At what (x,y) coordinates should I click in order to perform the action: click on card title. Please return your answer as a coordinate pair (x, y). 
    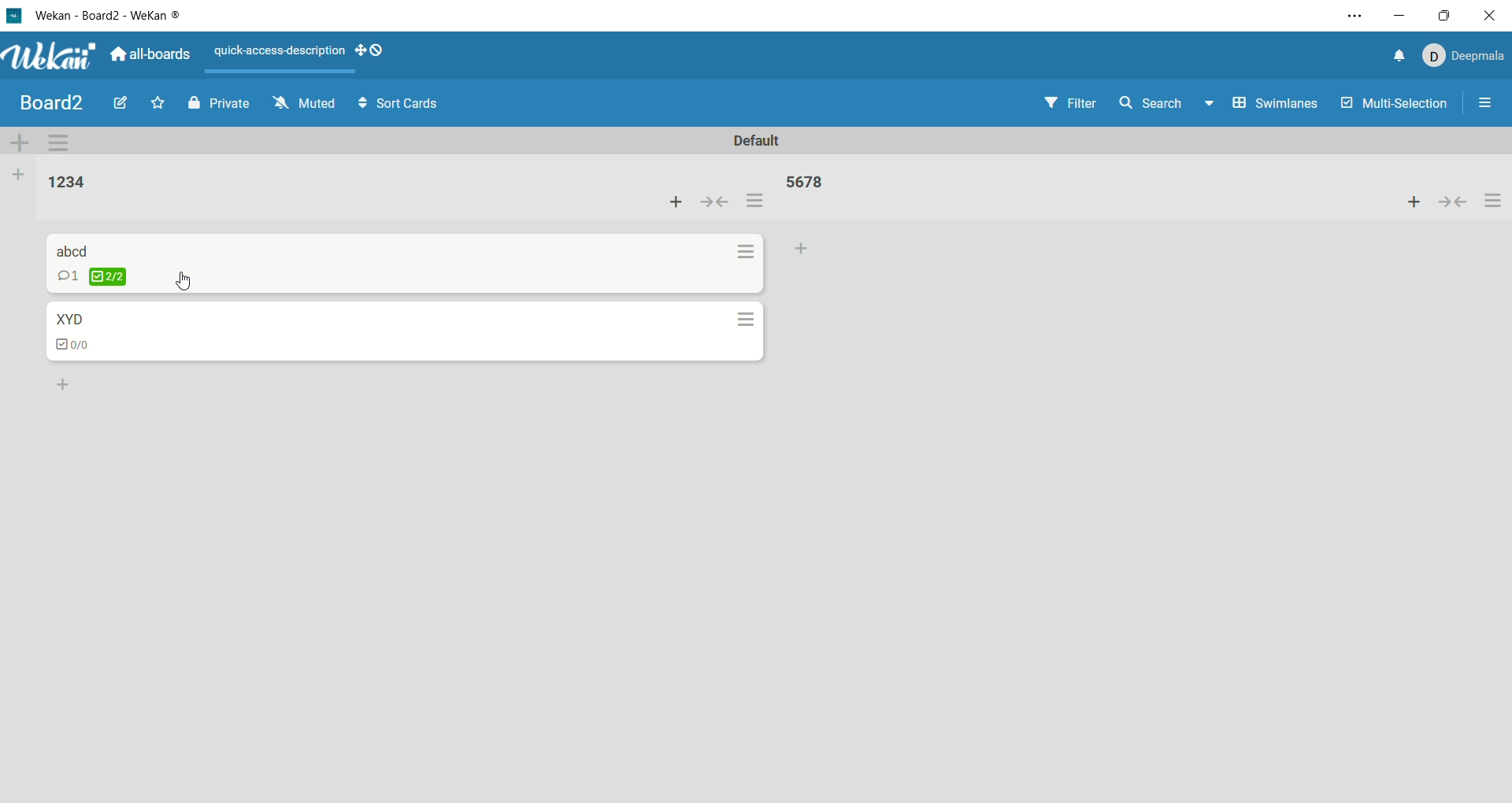
    Looking at the image, I should click on (73, 248).